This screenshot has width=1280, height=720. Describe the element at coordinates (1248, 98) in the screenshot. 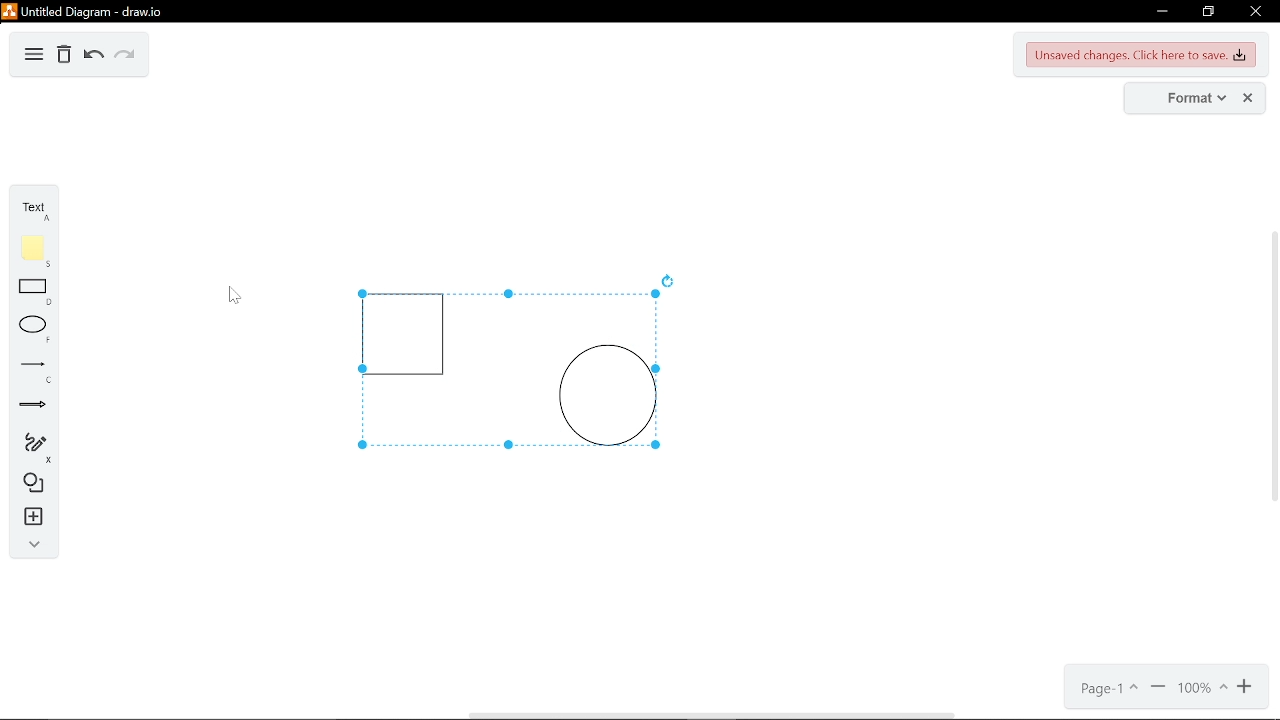

I see `close` at that location.